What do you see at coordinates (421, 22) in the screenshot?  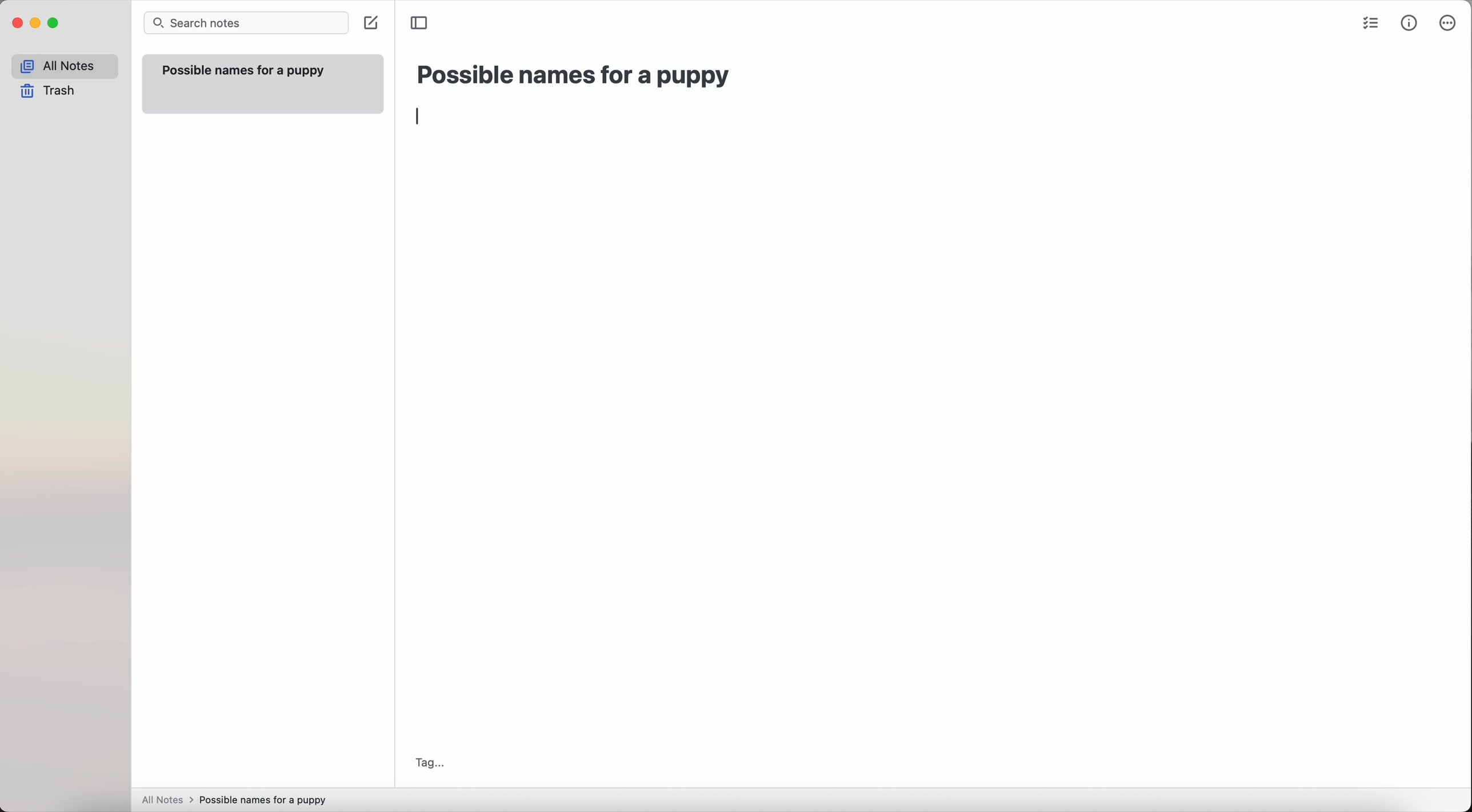 I see `toggle sidebar` at bounding box center [421, 22].